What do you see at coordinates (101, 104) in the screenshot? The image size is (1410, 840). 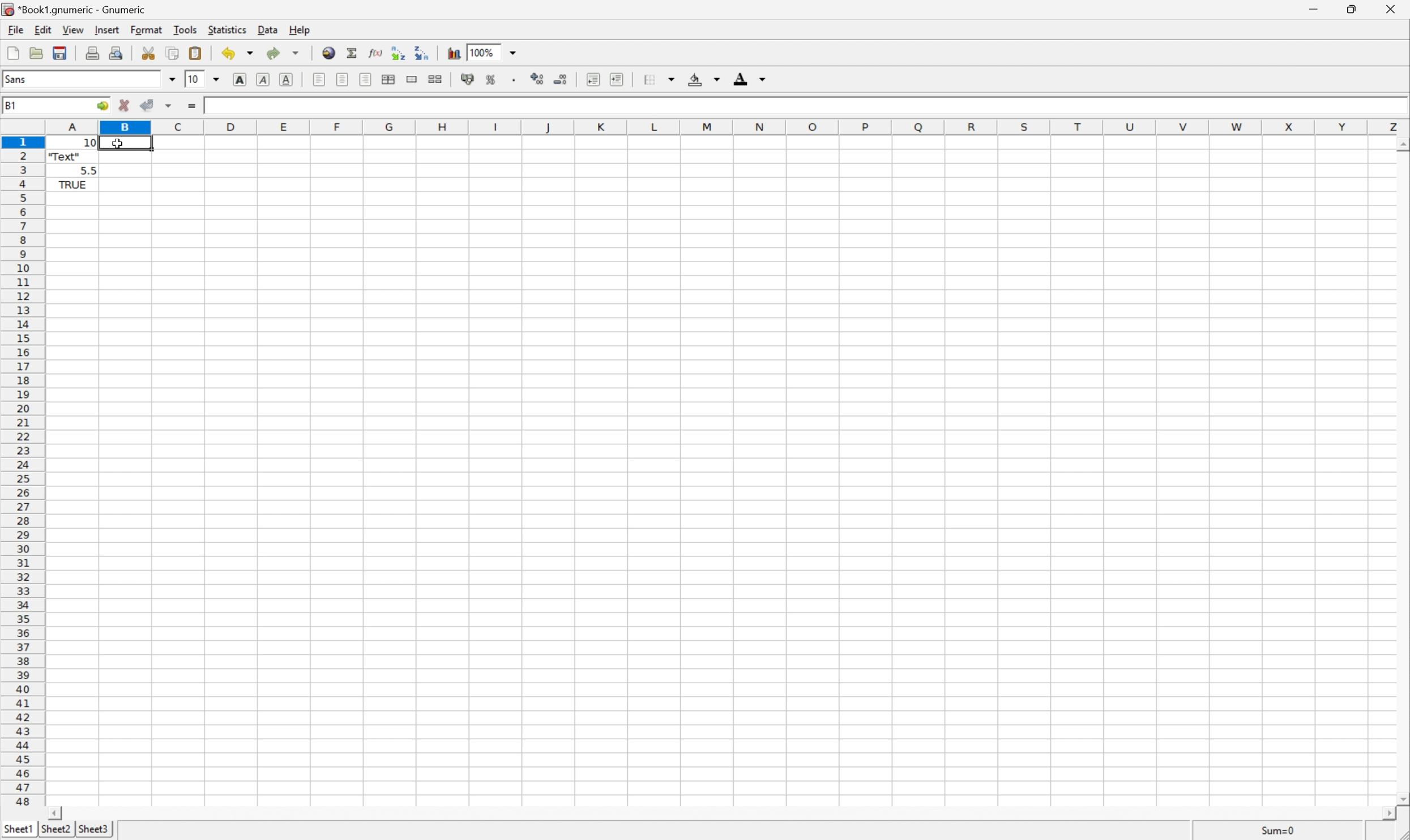 I see `Go to` at bounding box center [101, 104].